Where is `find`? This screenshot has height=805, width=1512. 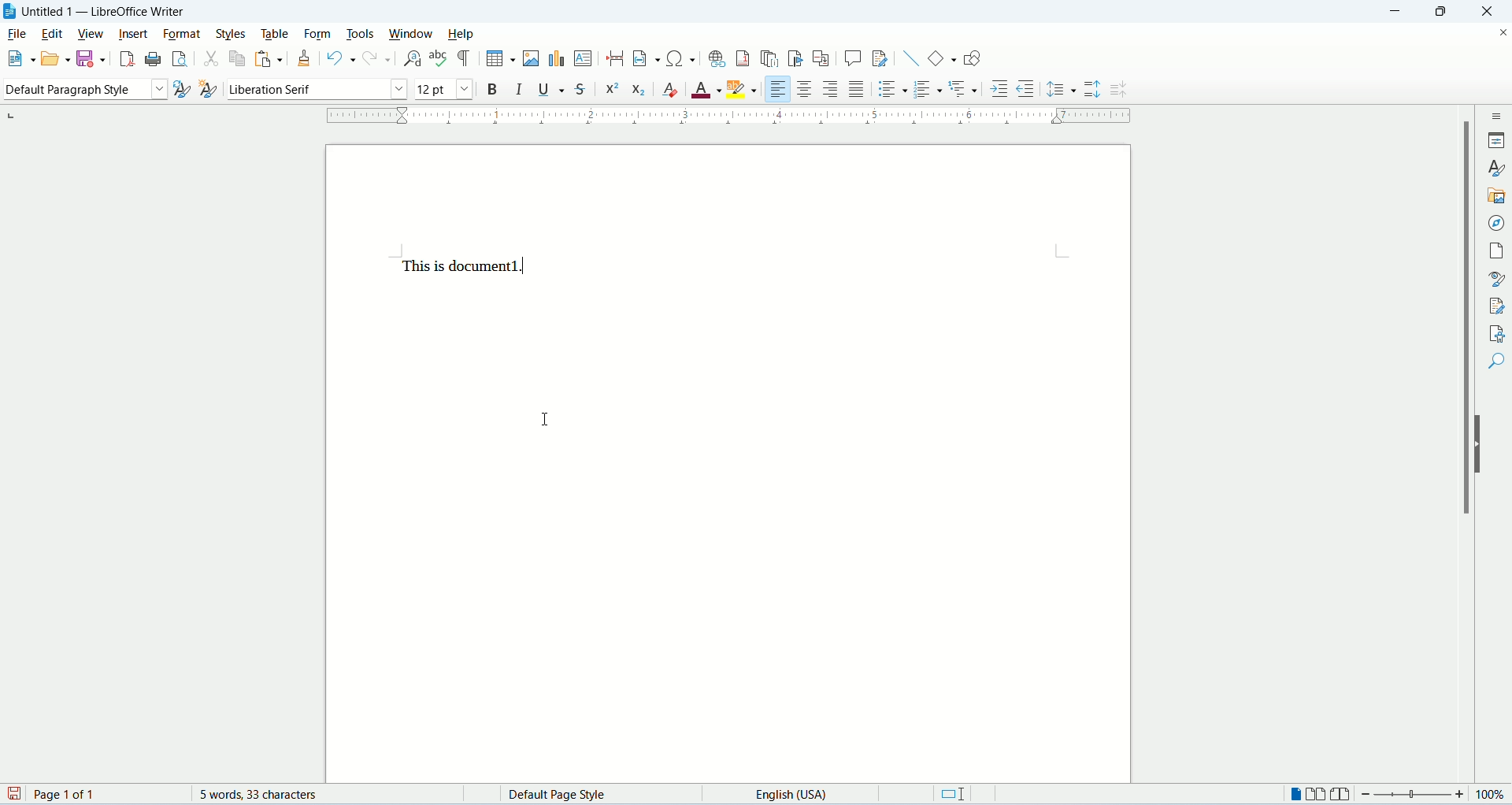 find is located at coordinates (1495, 360).